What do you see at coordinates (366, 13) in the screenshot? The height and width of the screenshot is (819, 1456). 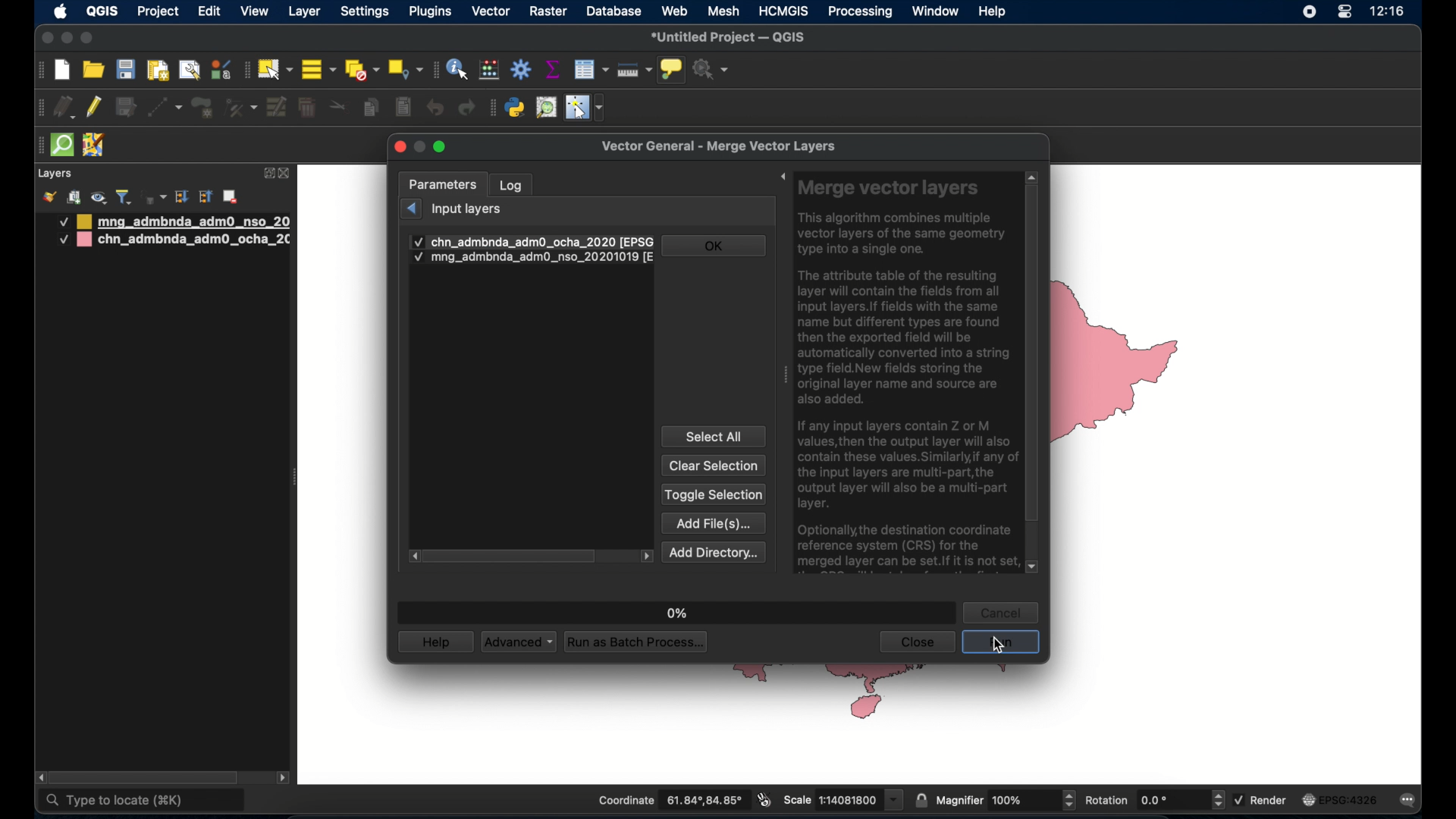 I see `settings` at bounding box center [366, 13].